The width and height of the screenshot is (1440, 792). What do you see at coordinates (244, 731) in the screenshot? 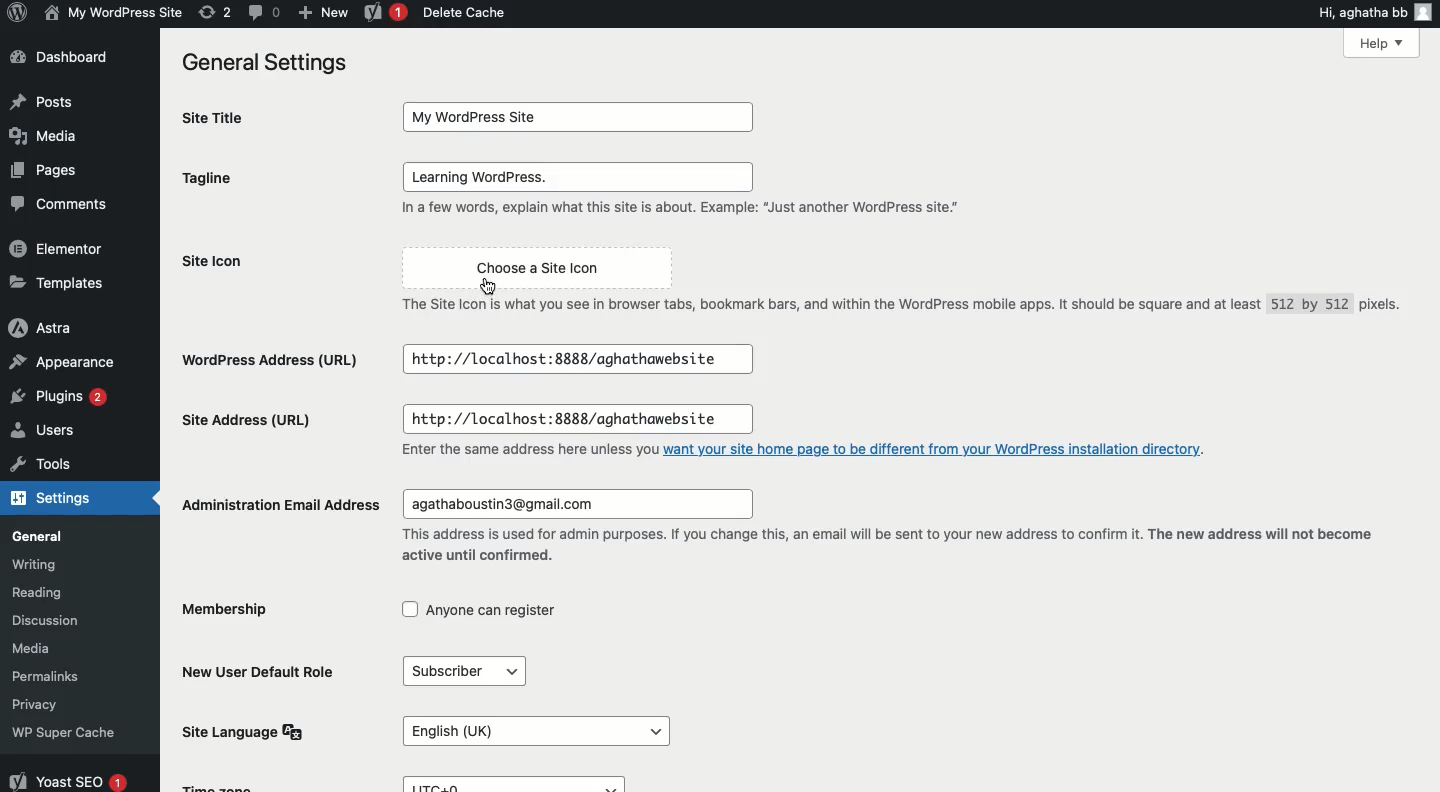
I see `Site language` at bounding box center [244, 731].